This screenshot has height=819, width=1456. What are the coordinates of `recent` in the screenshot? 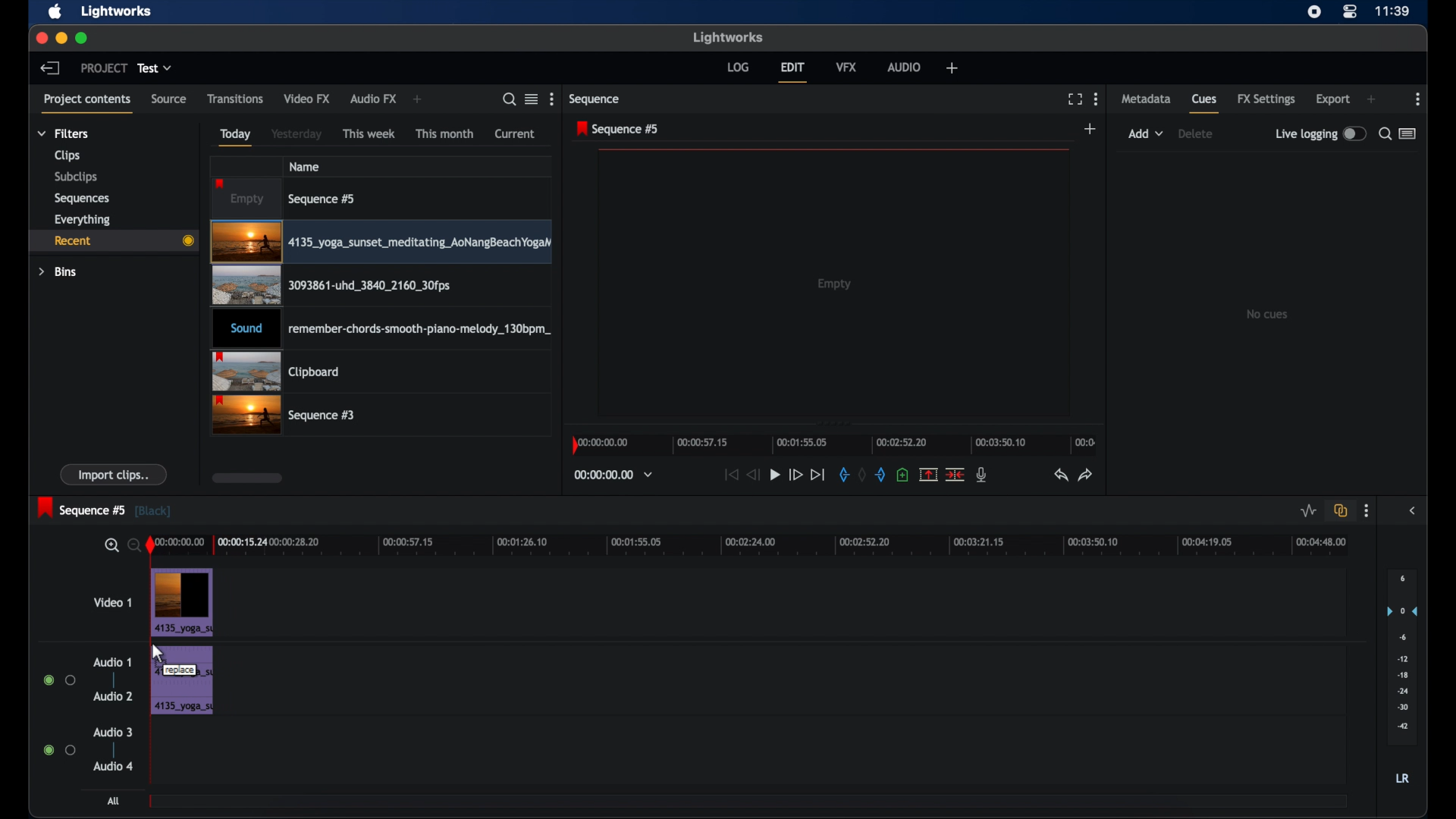 It's located at (113, 241).